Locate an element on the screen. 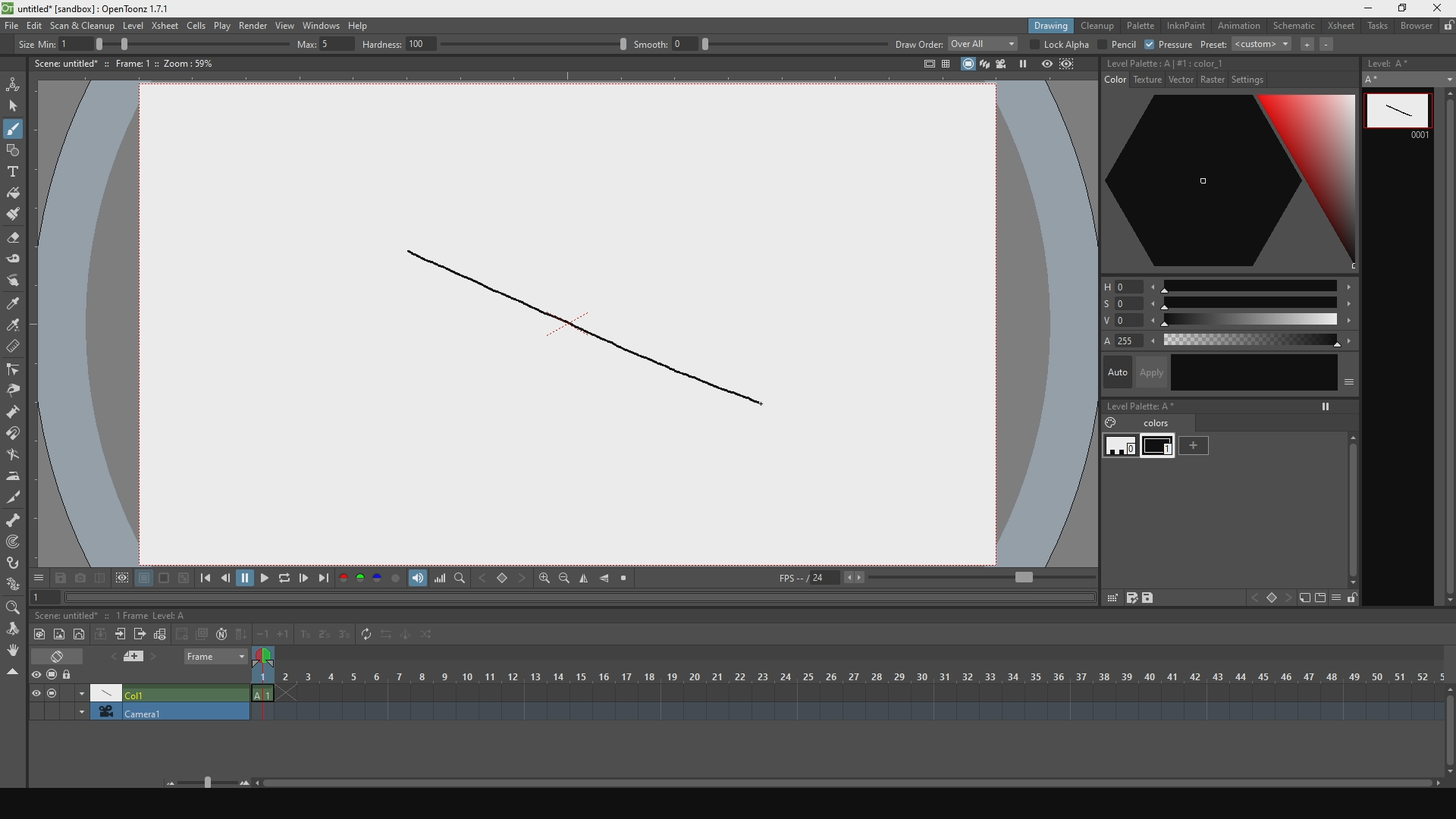  move is located at coordinates (17, 282).